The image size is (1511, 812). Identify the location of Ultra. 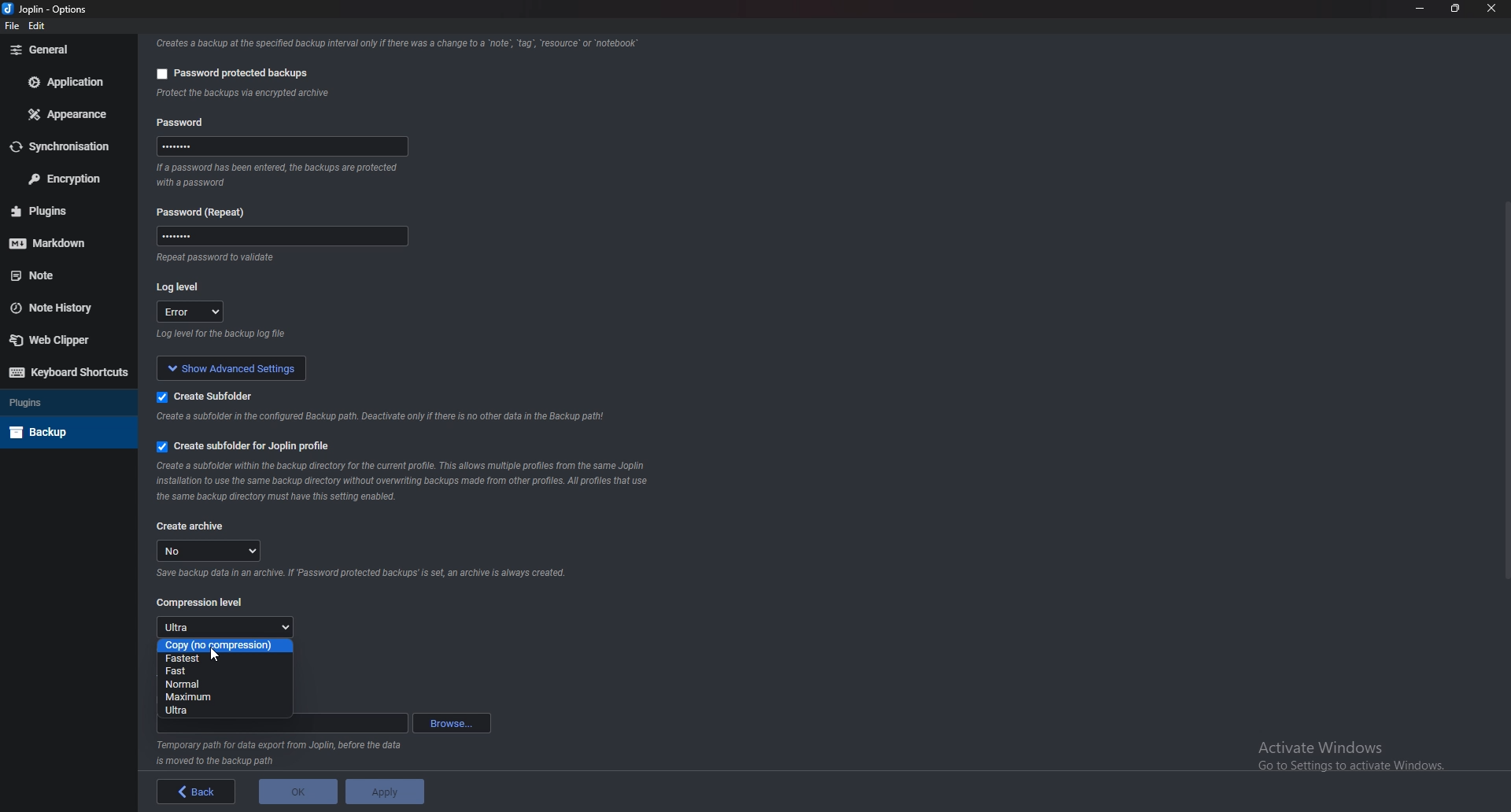
(225, 626).